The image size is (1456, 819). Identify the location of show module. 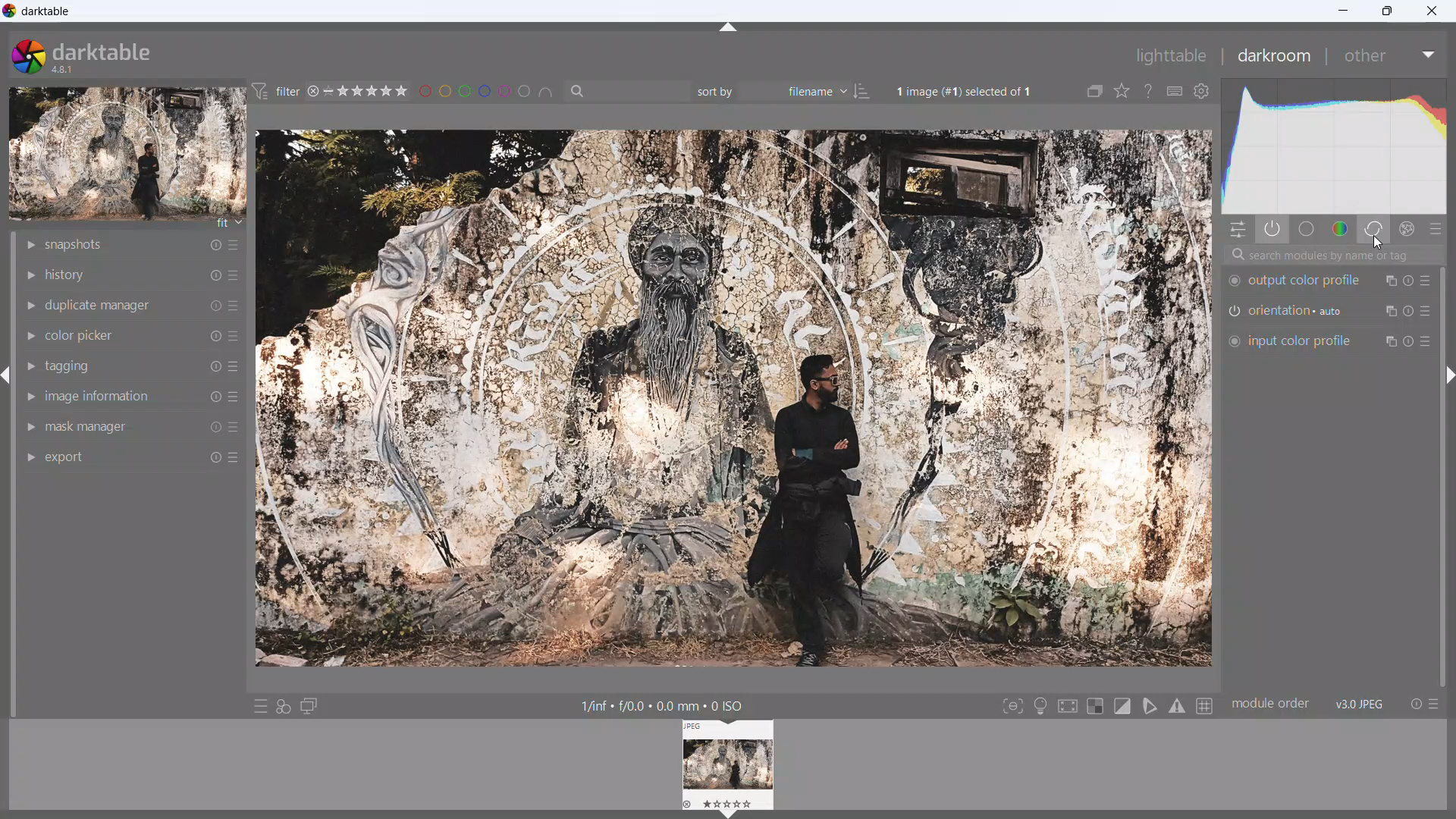
(31, 428).